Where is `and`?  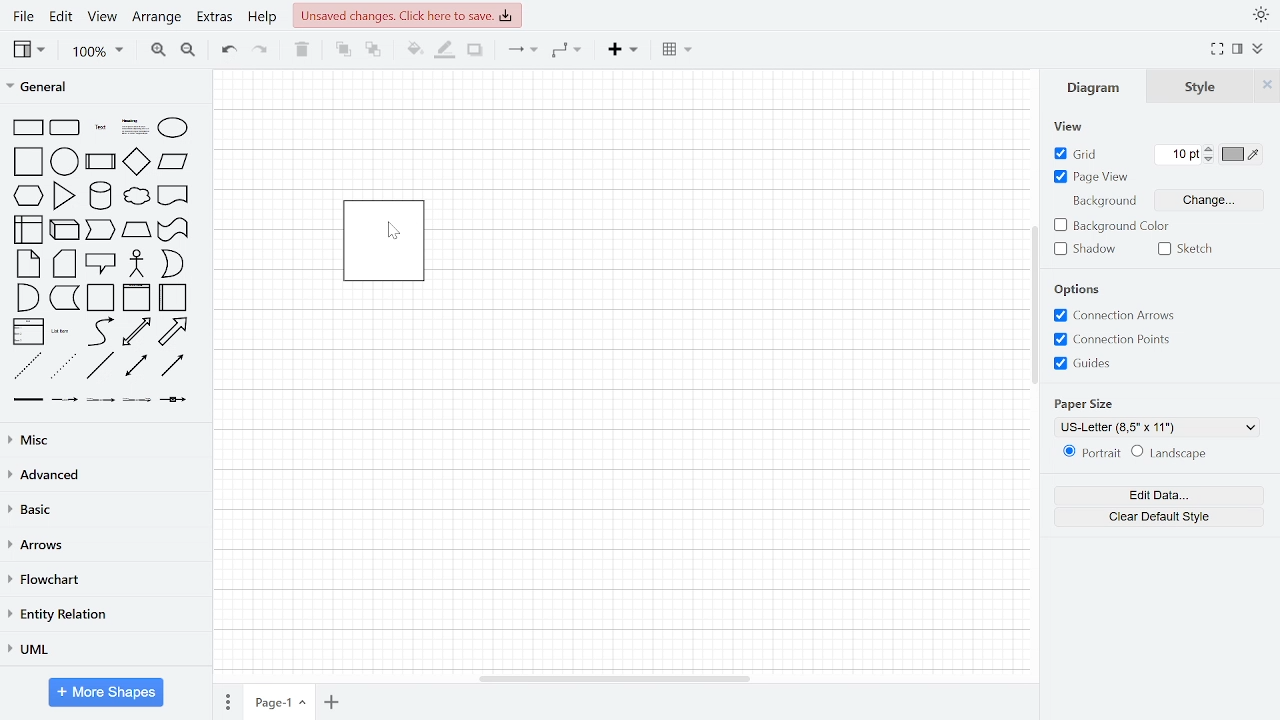 and is located at coordinates (27, 297).